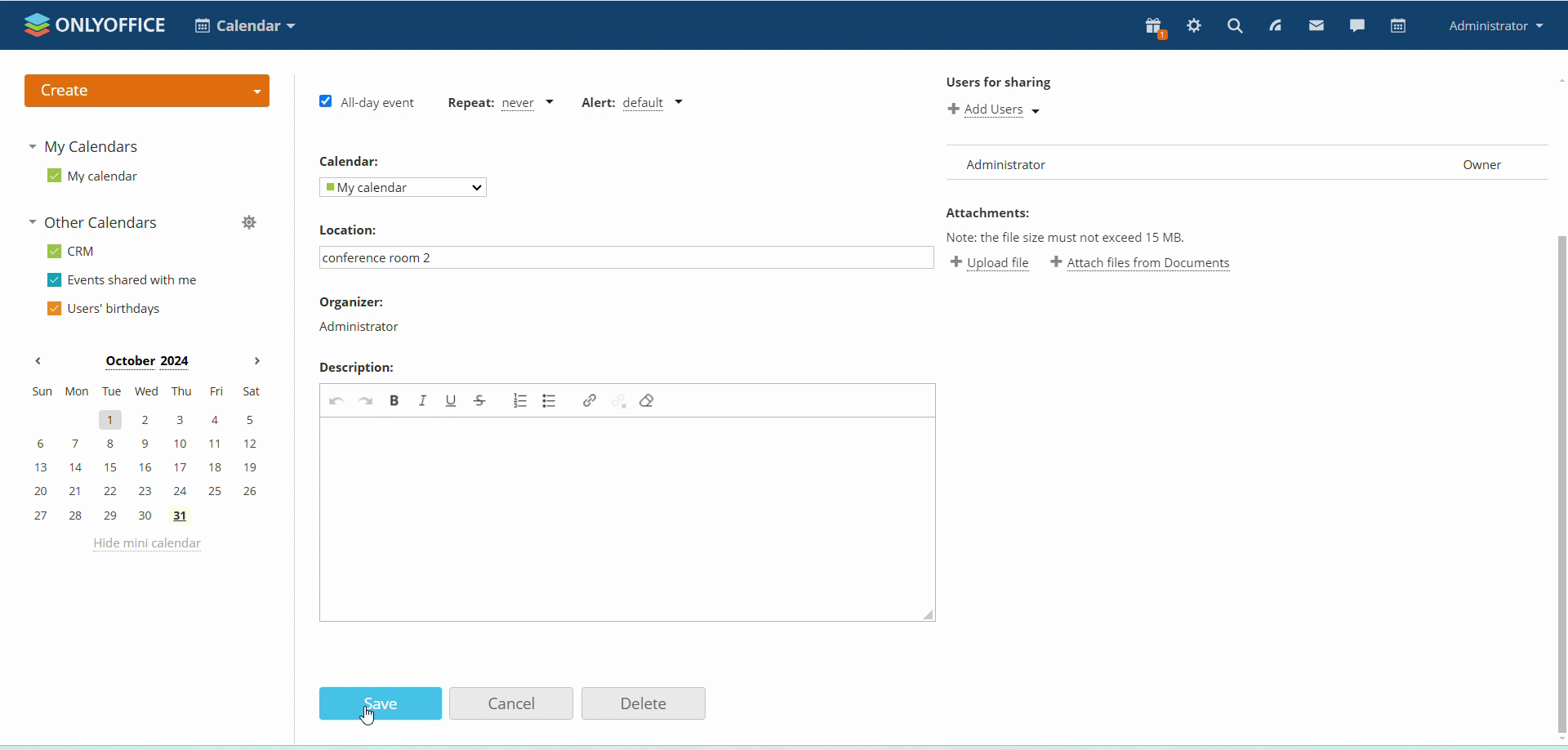  Describe the element at coordinates (510, 703) in the screenshot. I see `Cancel` at that location.